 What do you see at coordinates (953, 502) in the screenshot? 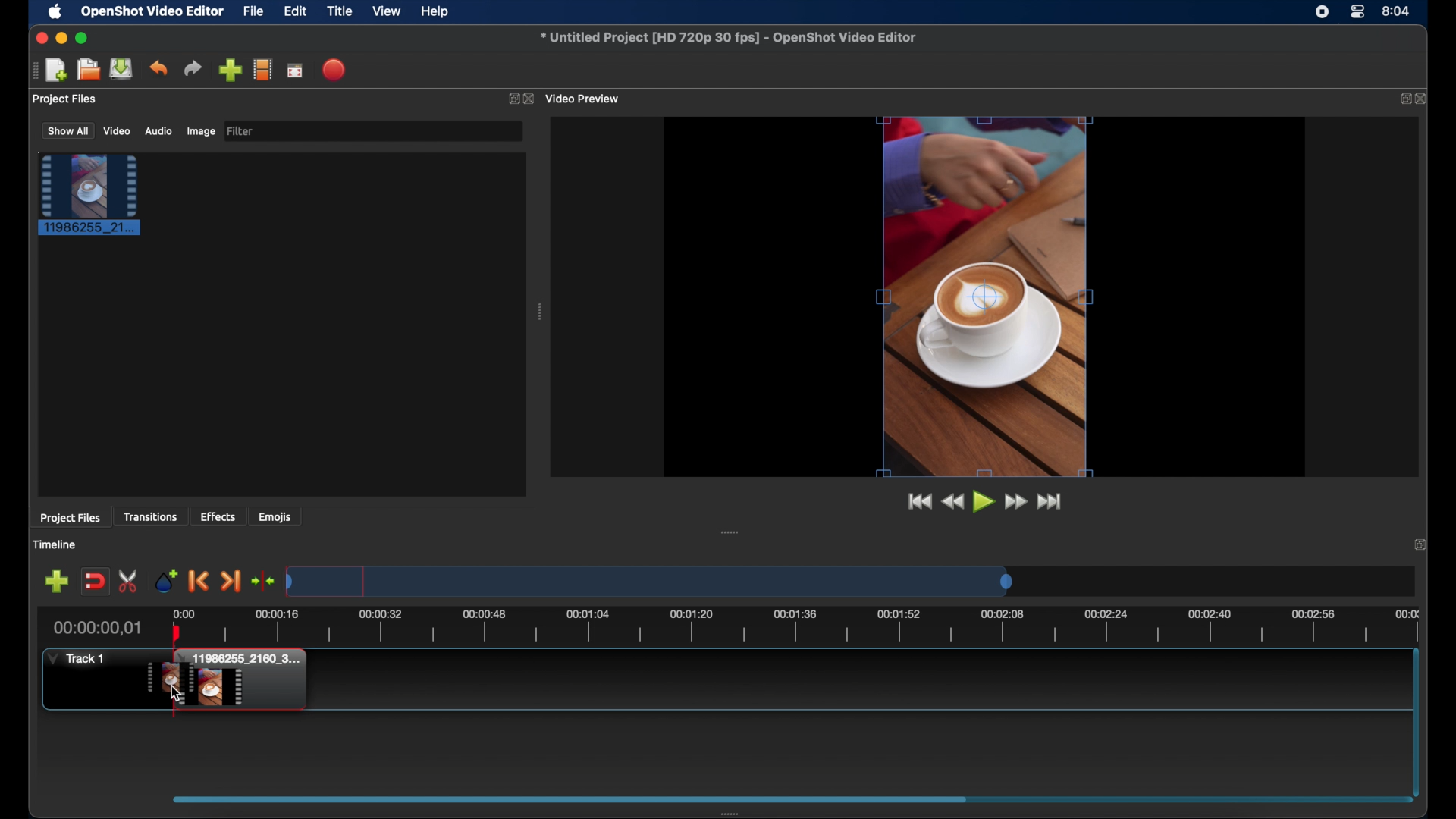
I see `rewind` at bounding box center [953, 502].